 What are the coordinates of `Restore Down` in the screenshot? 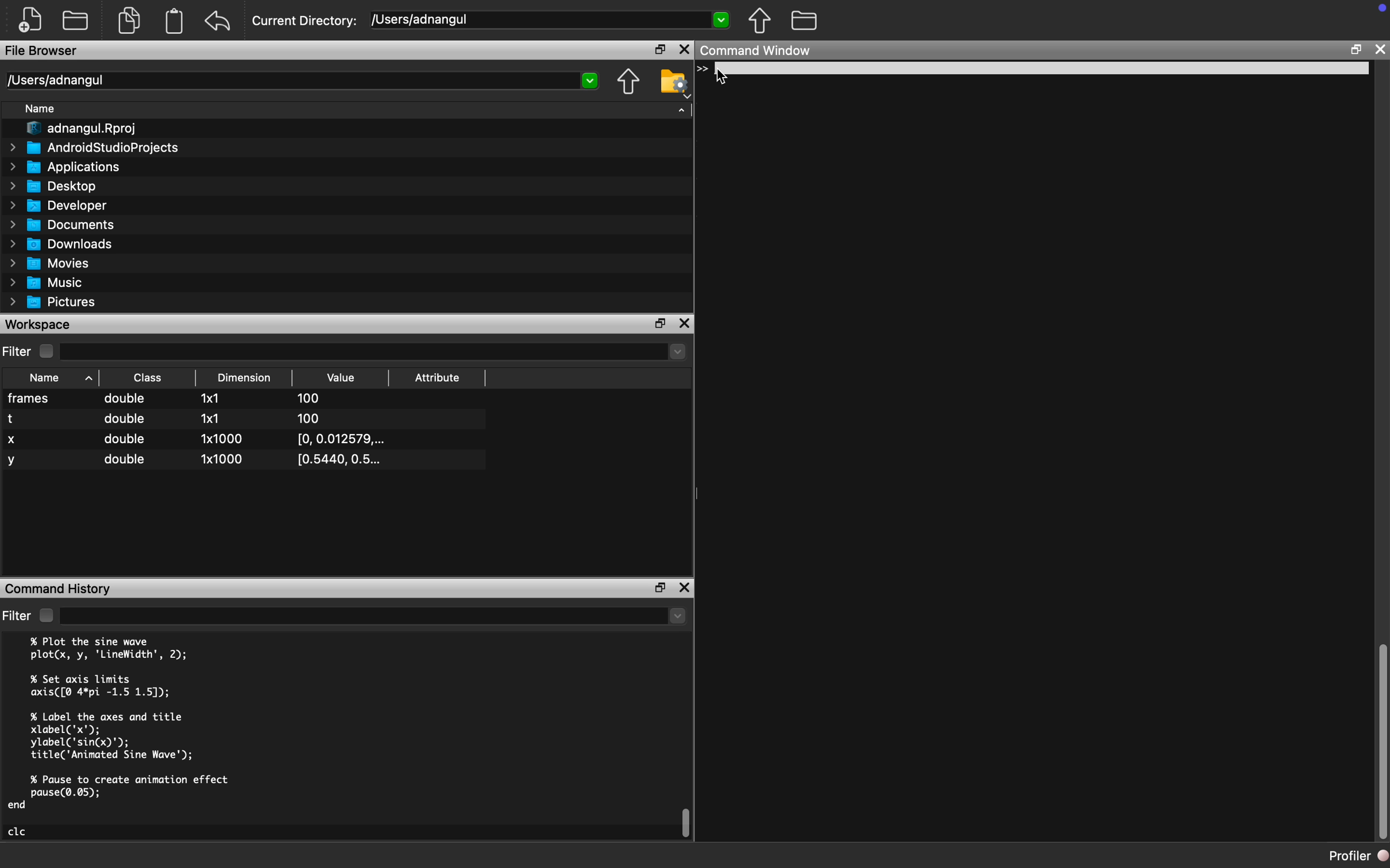 It's located at (1354, 51).